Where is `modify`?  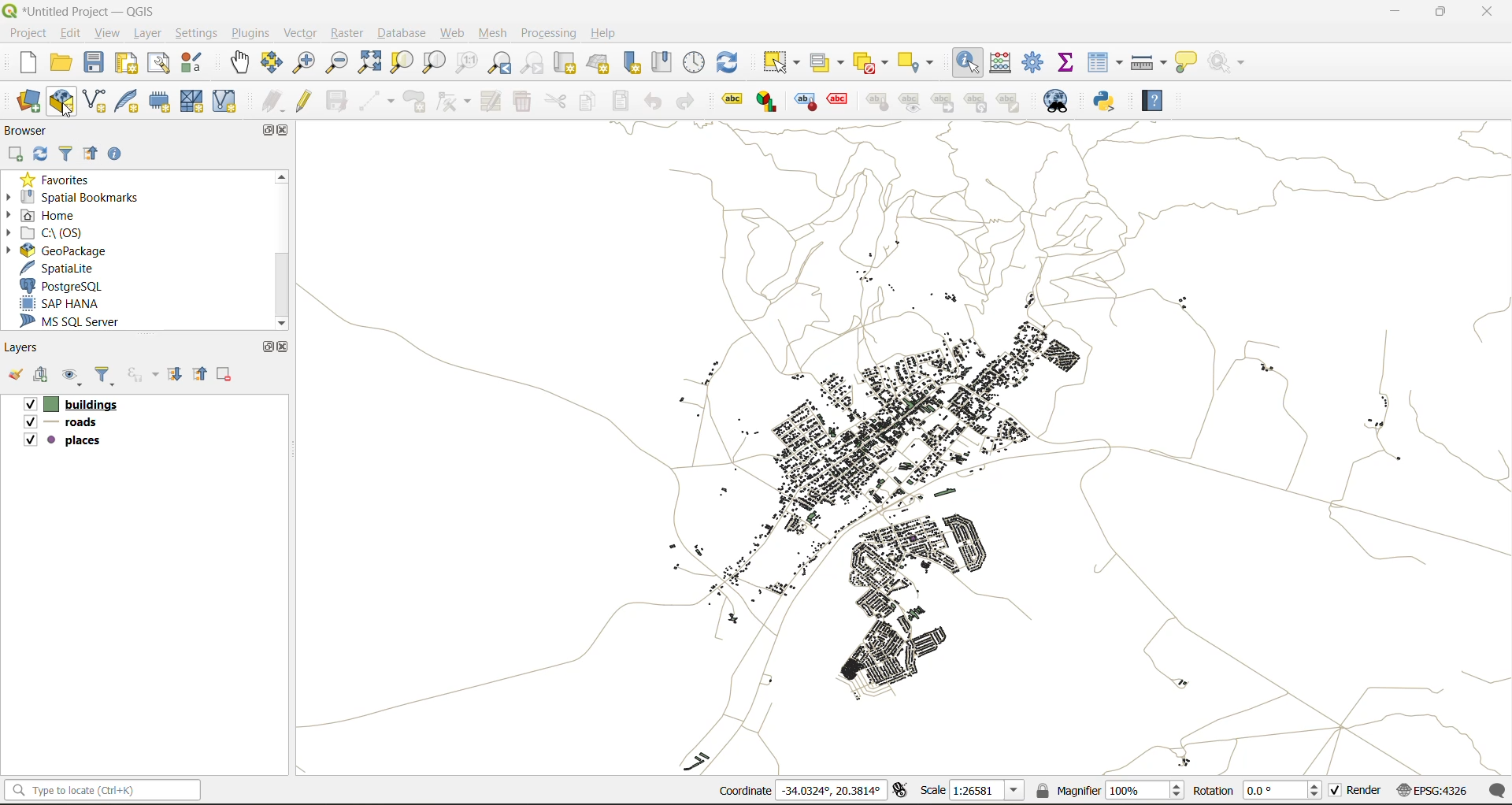 modify is located at coordinates (491, 102).